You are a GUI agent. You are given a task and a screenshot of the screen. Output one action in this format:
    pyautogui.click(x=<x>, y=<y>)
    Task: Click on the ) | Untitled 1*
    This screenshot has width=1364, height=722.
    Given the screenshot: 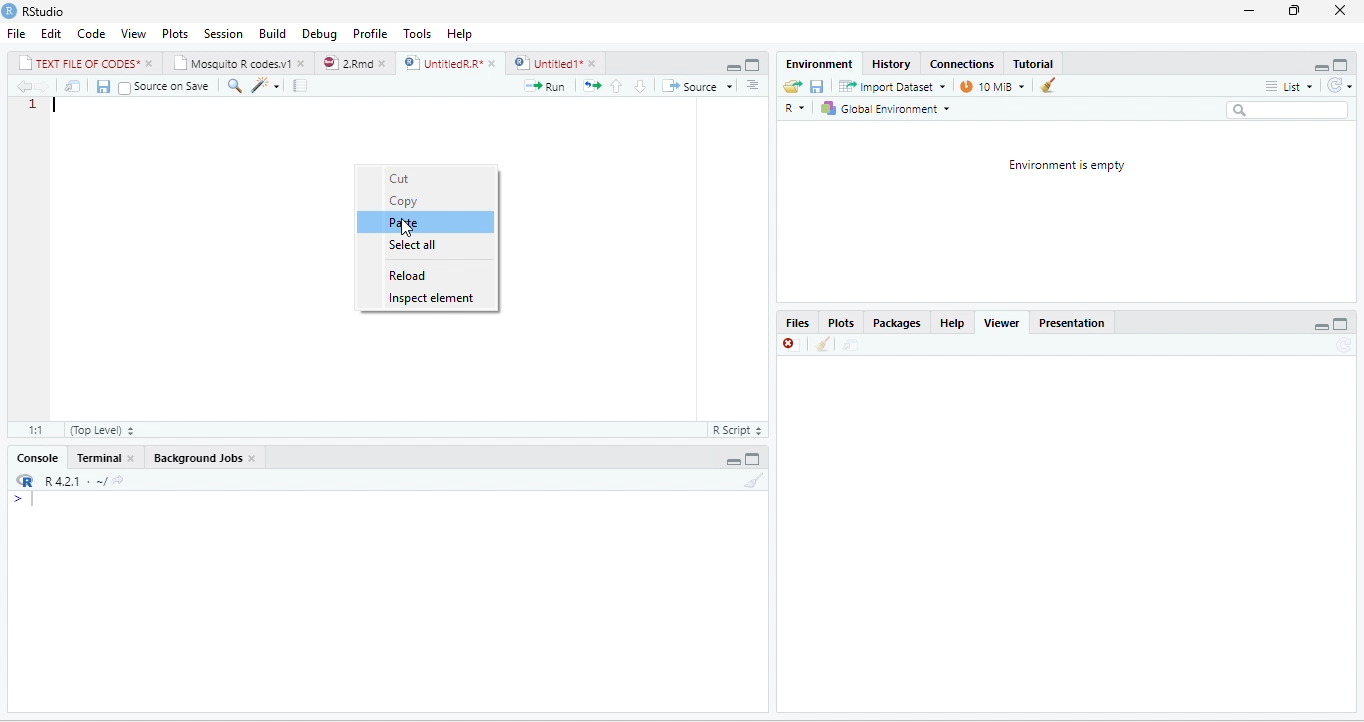 What is the action you would take?
    pyautogui.click(x=547, y=63)
    